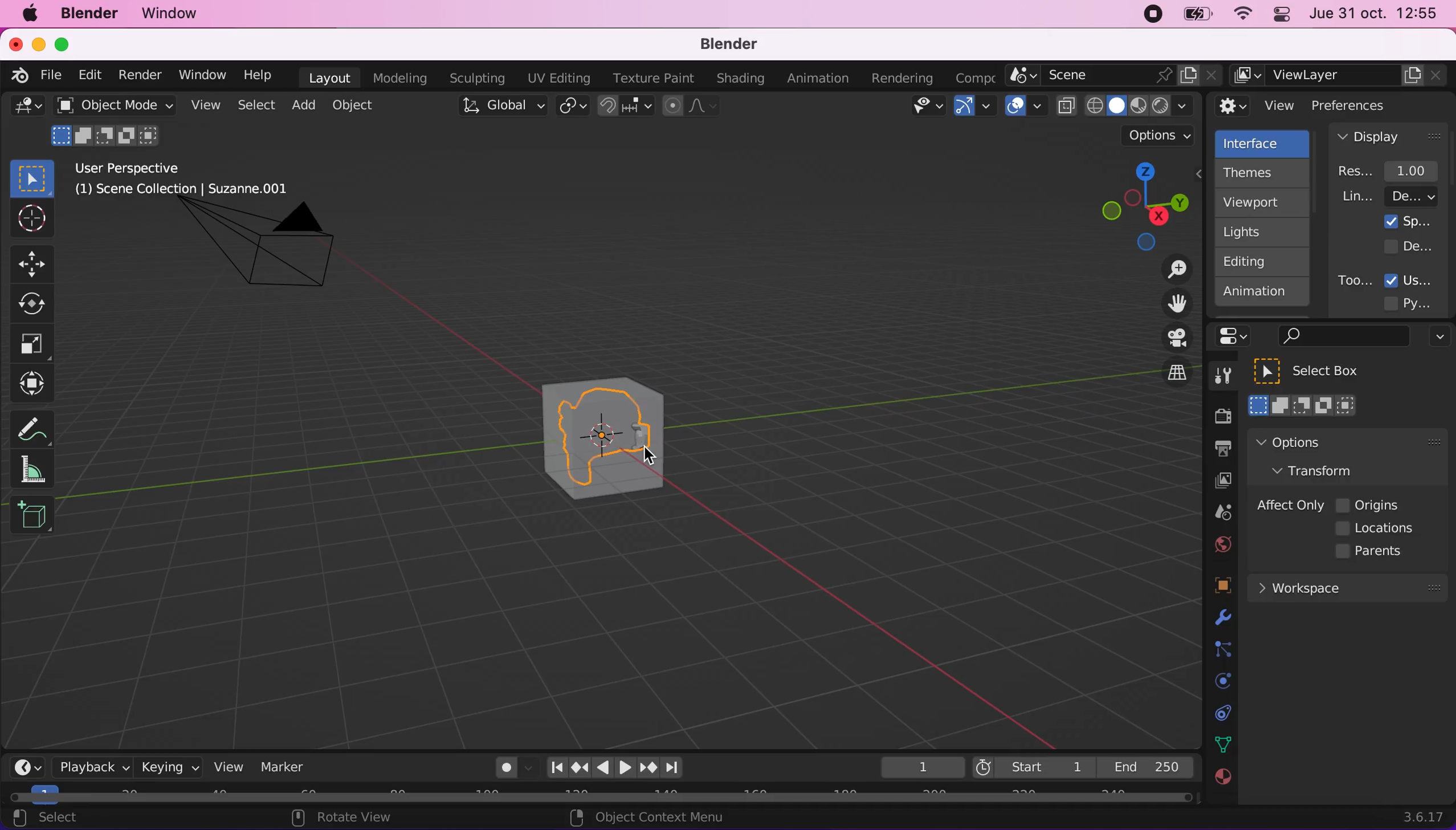 Image resolution: width=1456 pixels, height=830 pixels. Describe the element at coordinates (190, 180) in the screenshot. I see `user perspective (1) scene collection | suzzane.001` at that location.